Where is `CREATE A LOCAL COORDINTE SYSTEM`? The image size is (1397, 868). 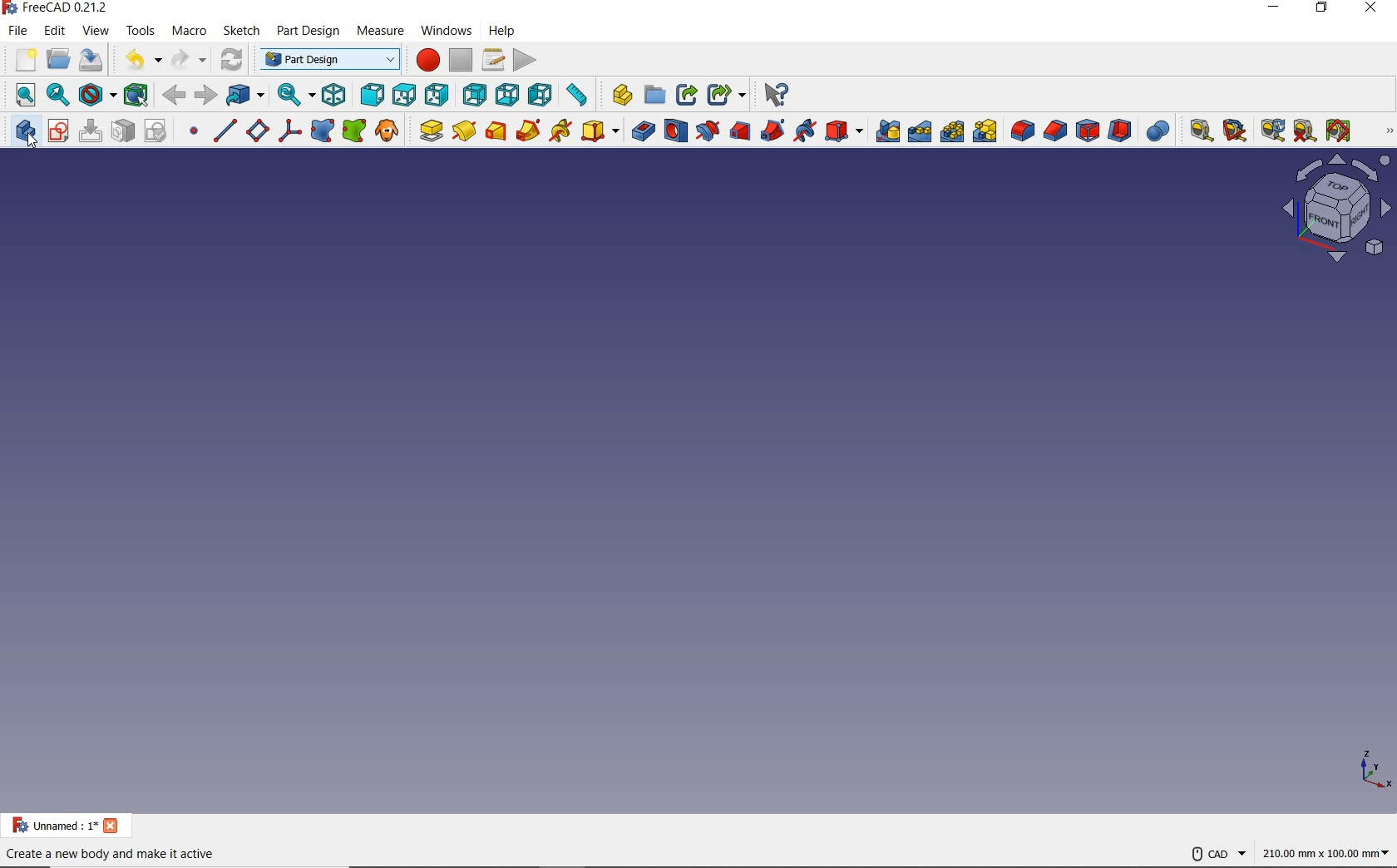 CREATE A LOCAL COORDINTE SYSTEM is located at coordinates (289, 130).